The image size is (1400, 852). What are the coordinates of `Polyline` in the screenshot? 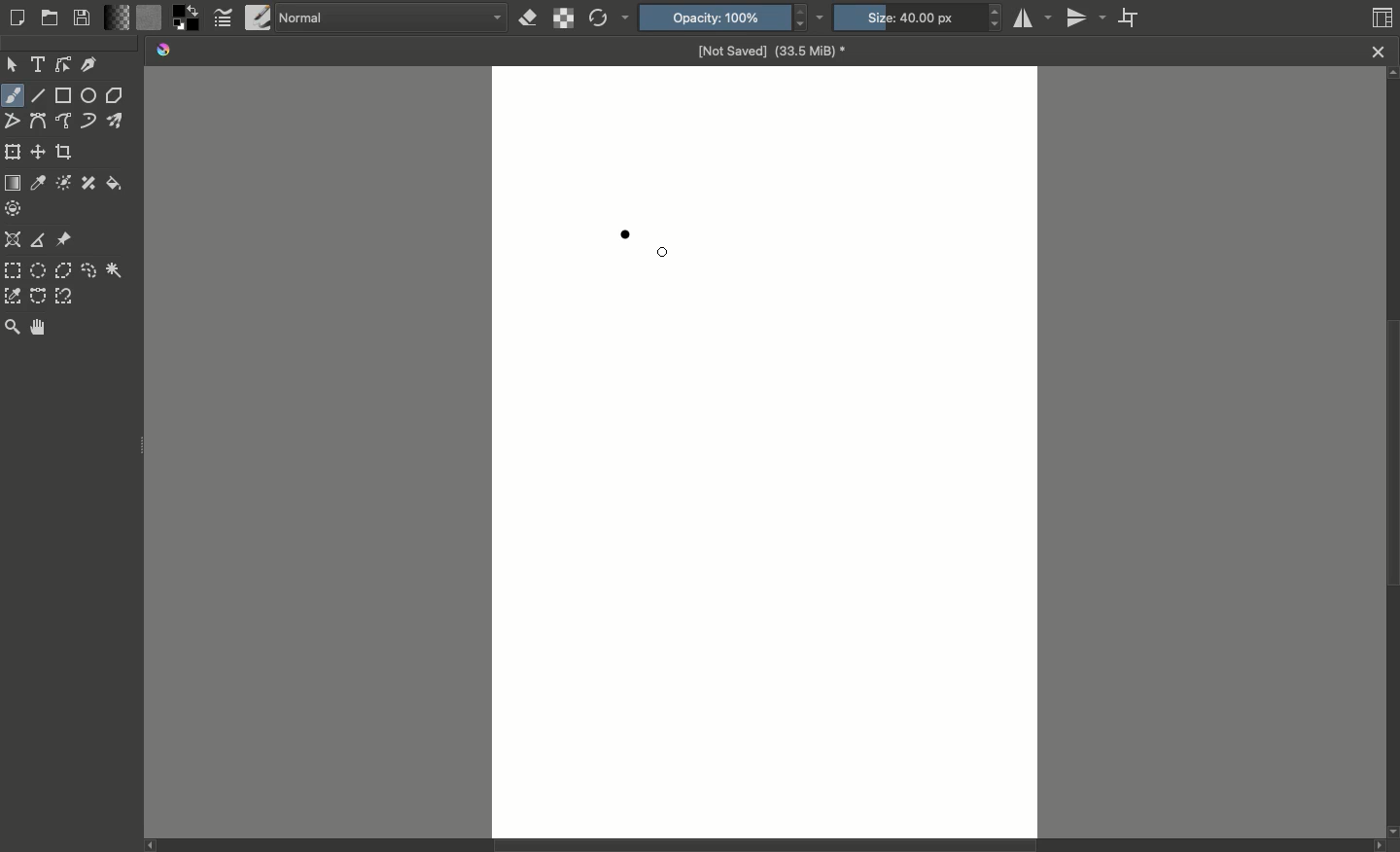 It's located at (13, 124).